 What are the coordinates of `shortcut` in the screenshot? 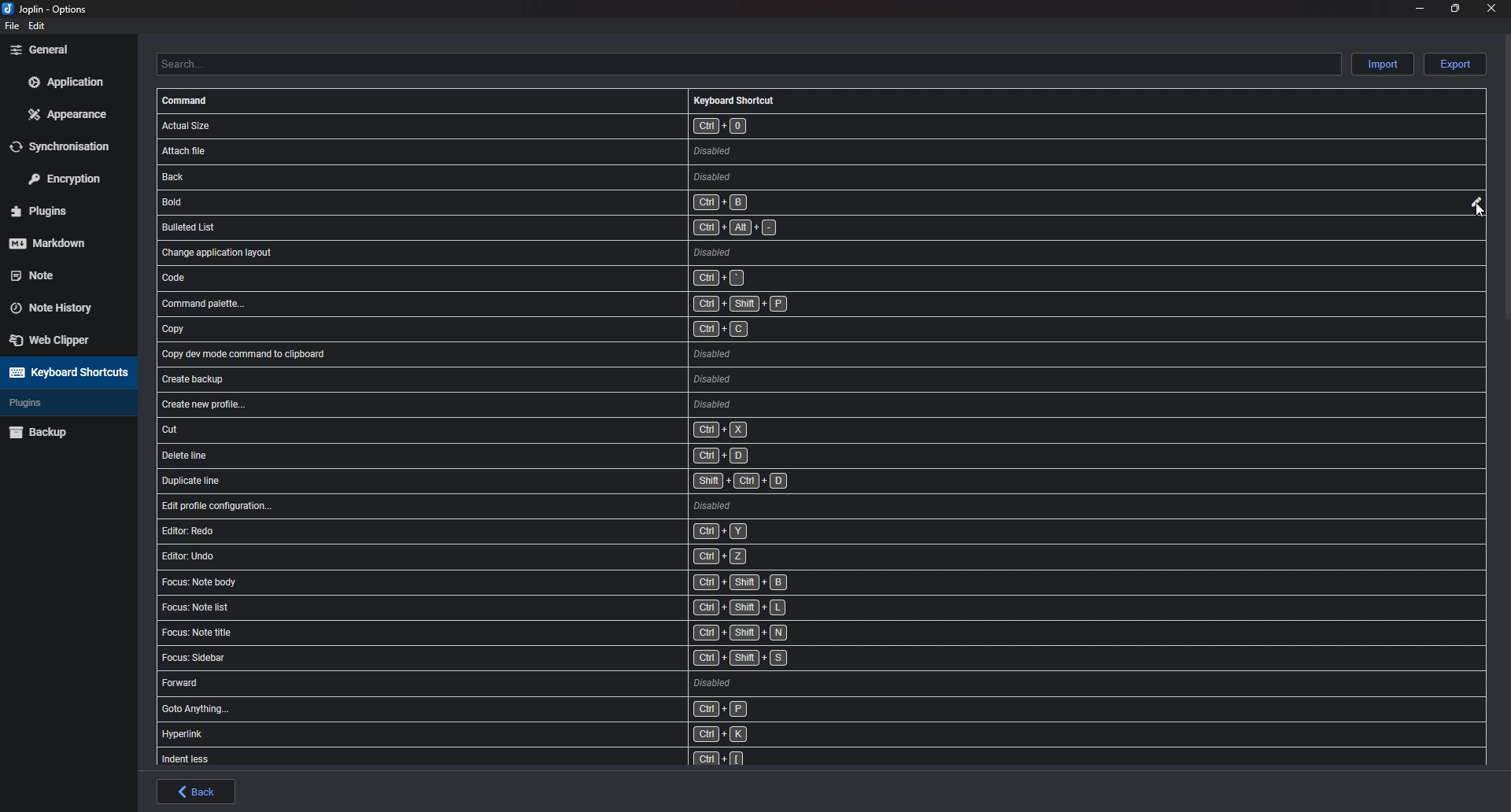 It's located at (526, 530).